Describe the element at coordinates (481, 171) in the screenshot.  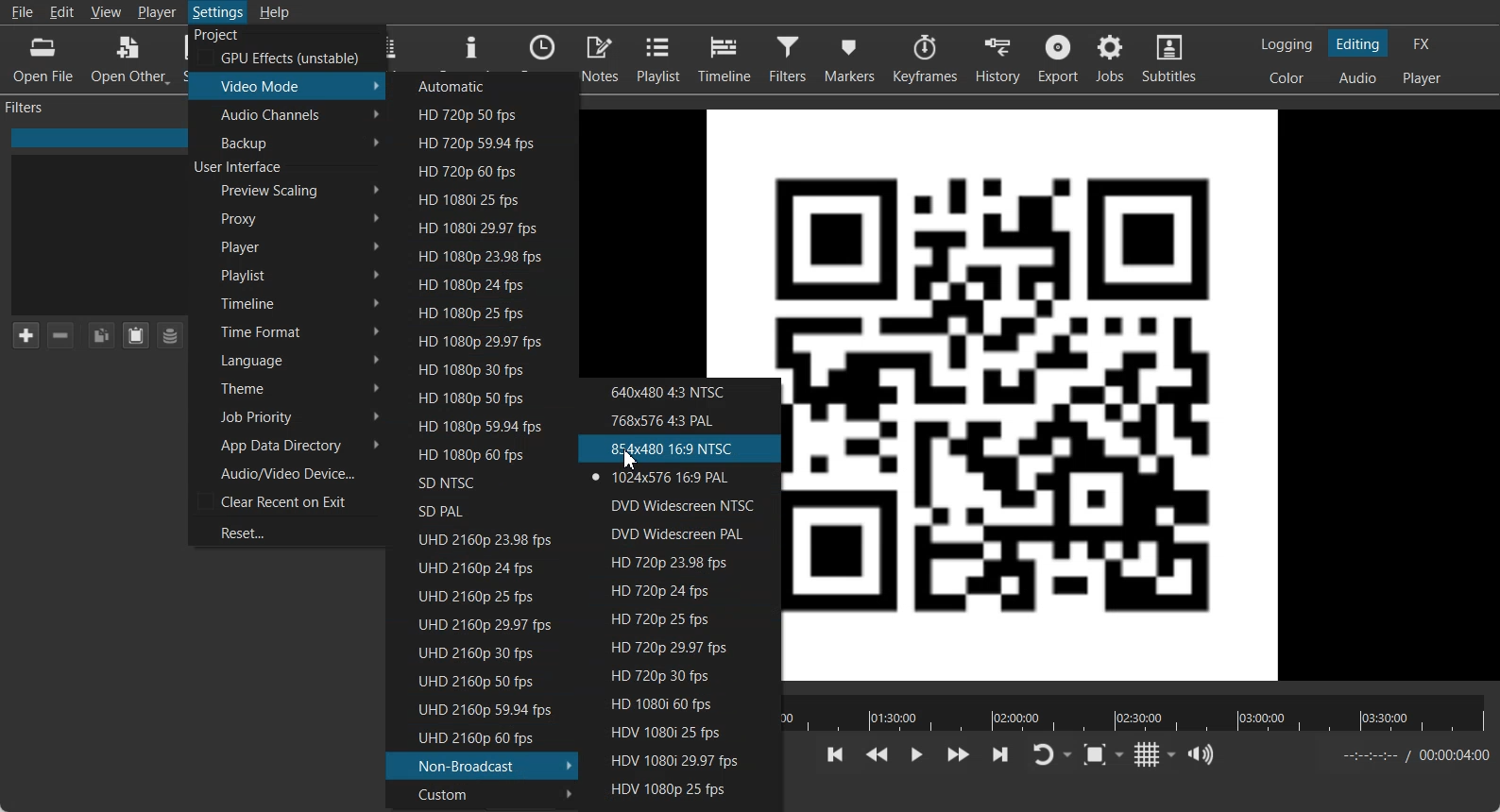
I see `HD 720p 60 fps` at that location.